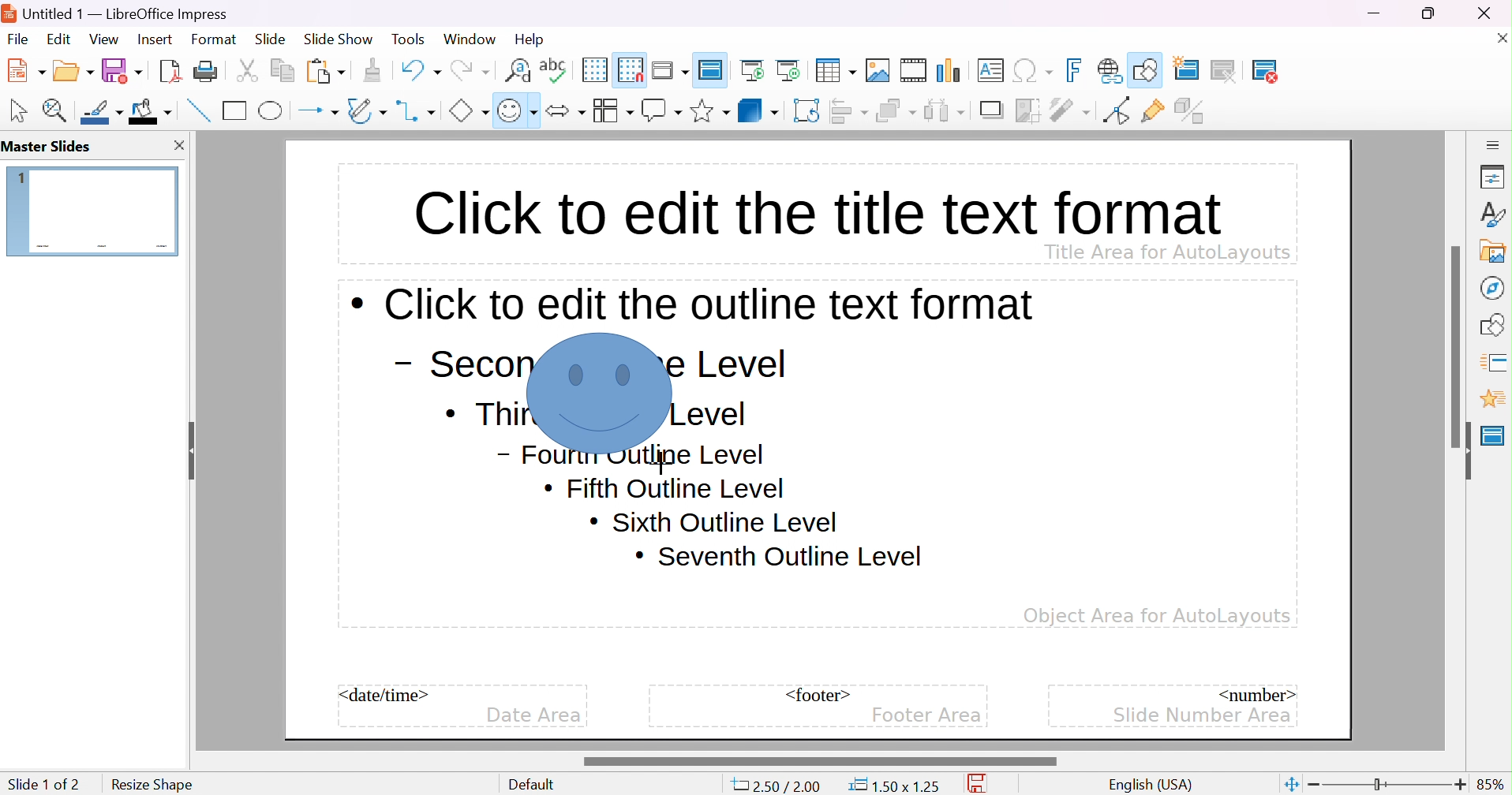 The image size is (1512, 795). What do you see at coordinates (215, 39) in the screenshot?
I see `format` at bounding box center [215, 39].